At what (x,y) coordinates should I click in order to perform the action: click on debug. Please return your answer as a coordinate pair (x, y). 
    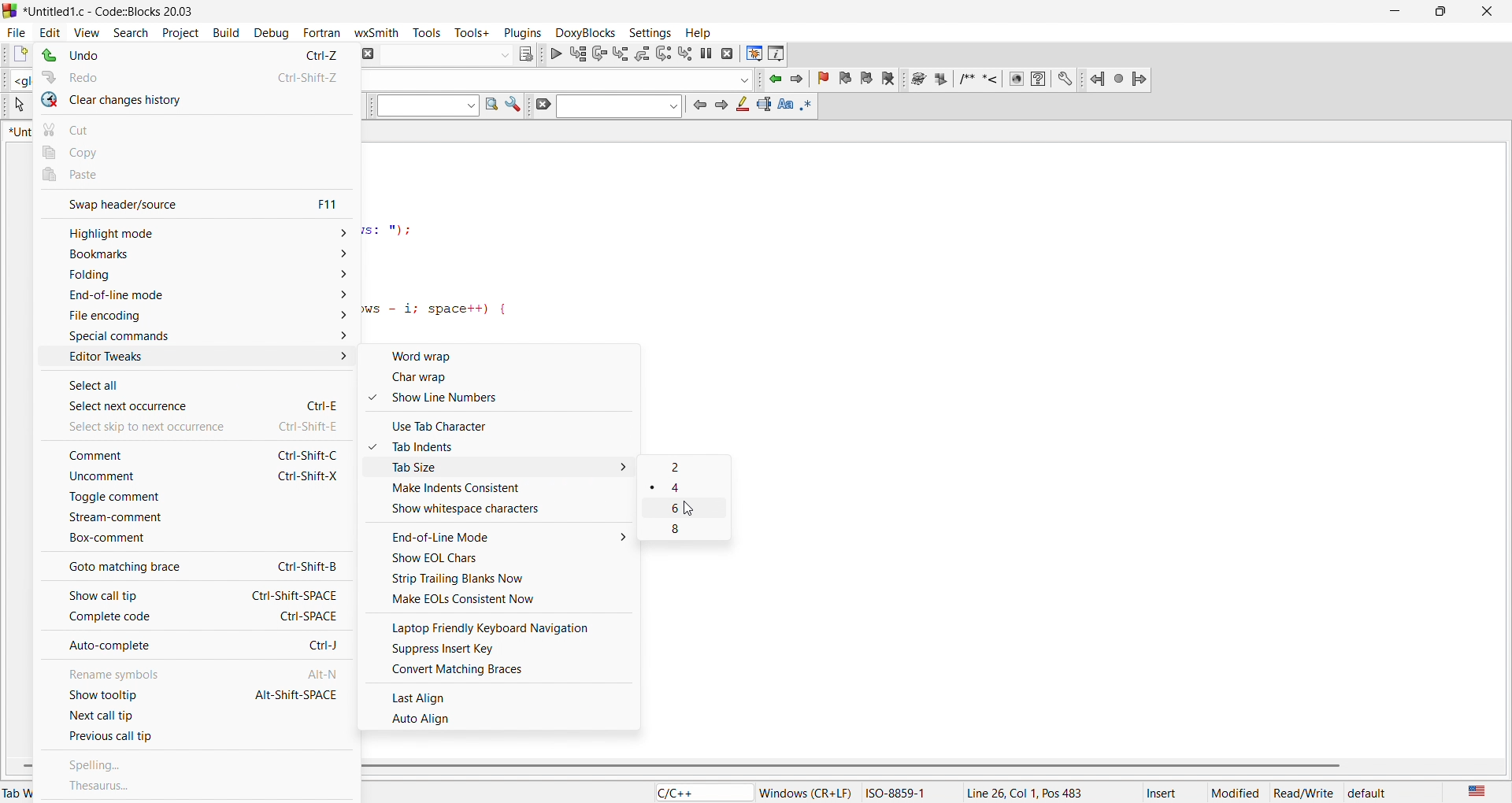
    Looking at the image, I should click on (272, 31).